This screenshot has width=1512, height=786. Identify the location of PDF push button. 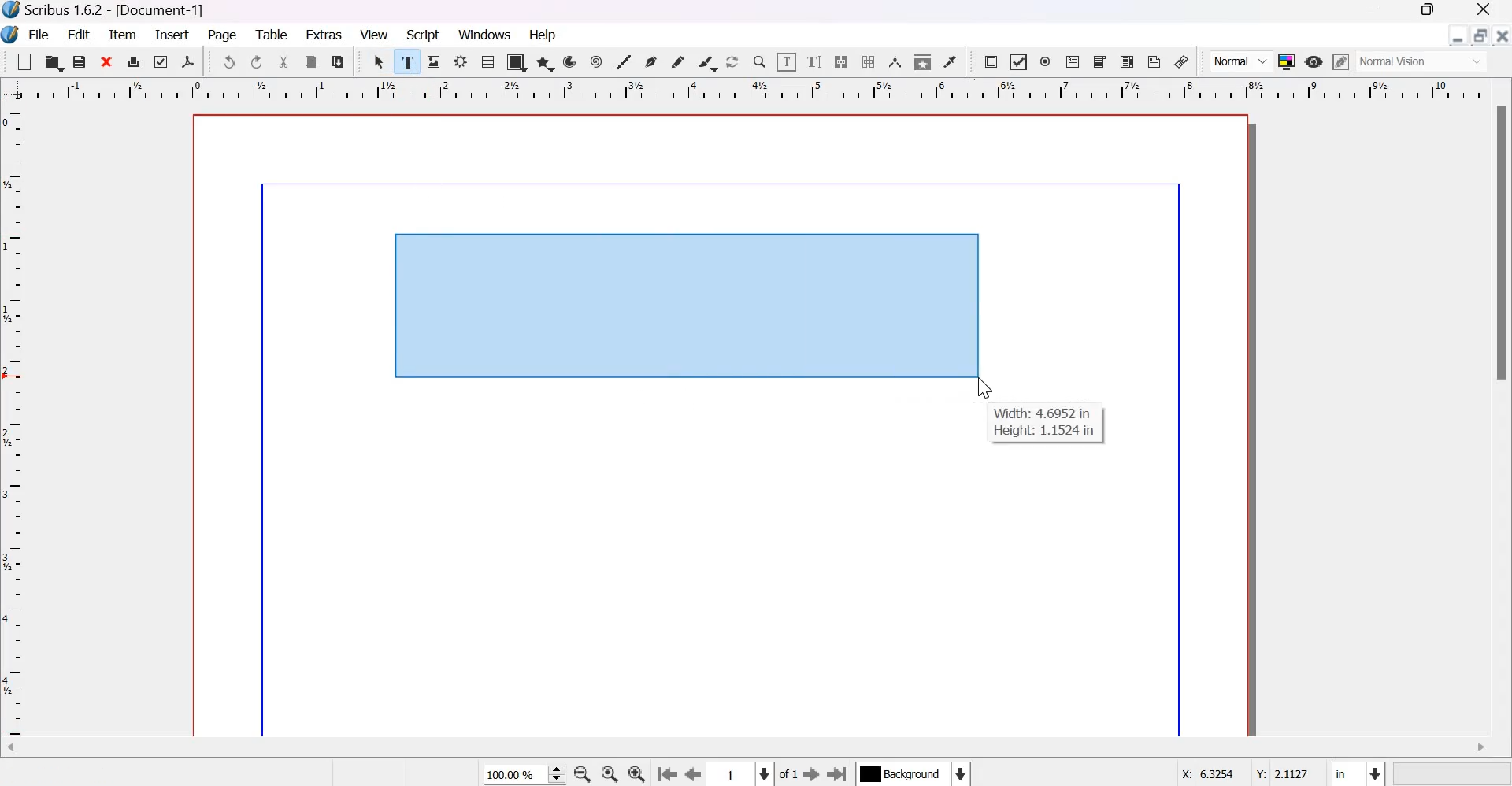
(991, 62).